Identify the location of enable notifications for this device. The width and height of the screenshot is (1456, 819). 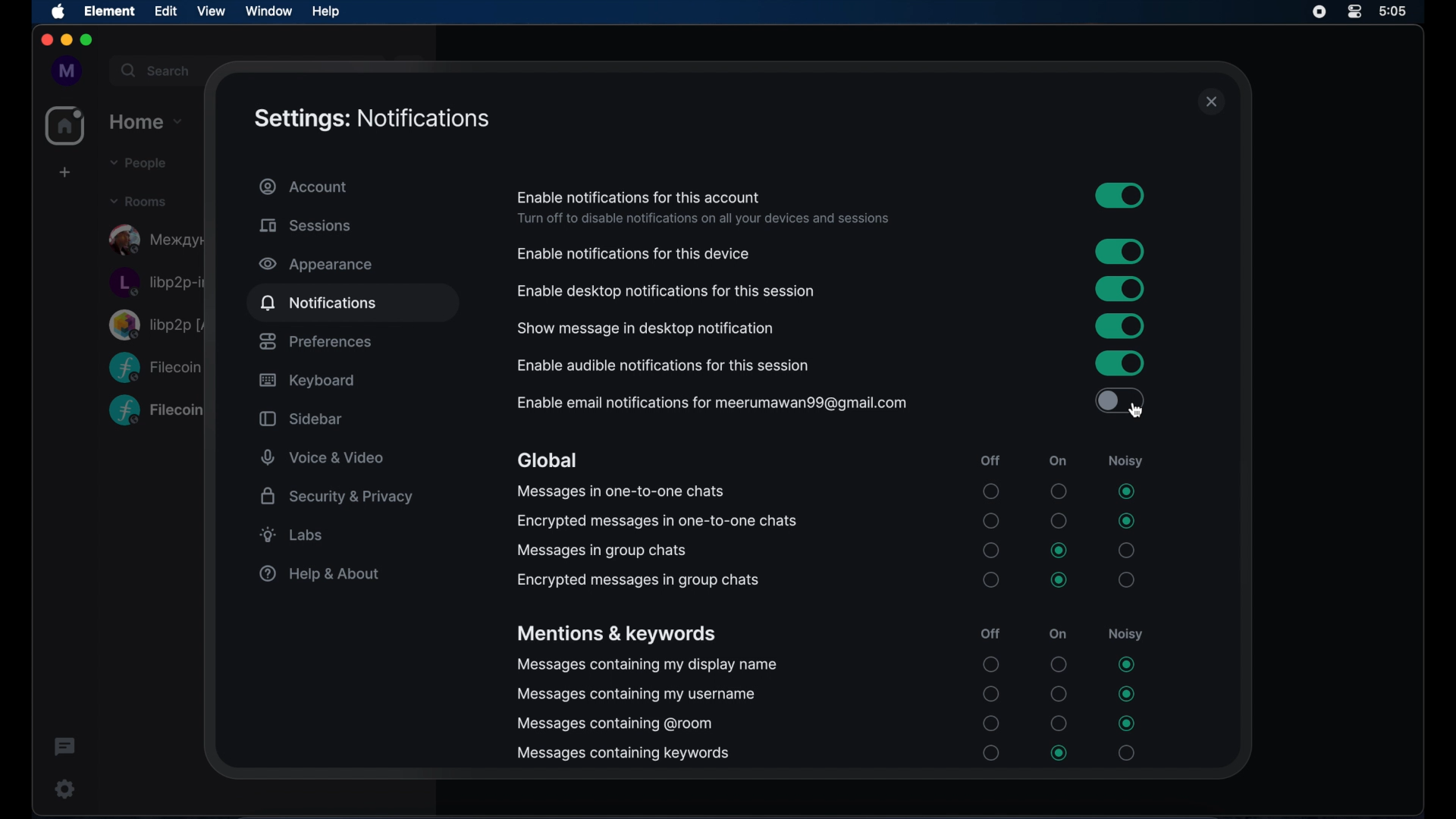
(634, 254).